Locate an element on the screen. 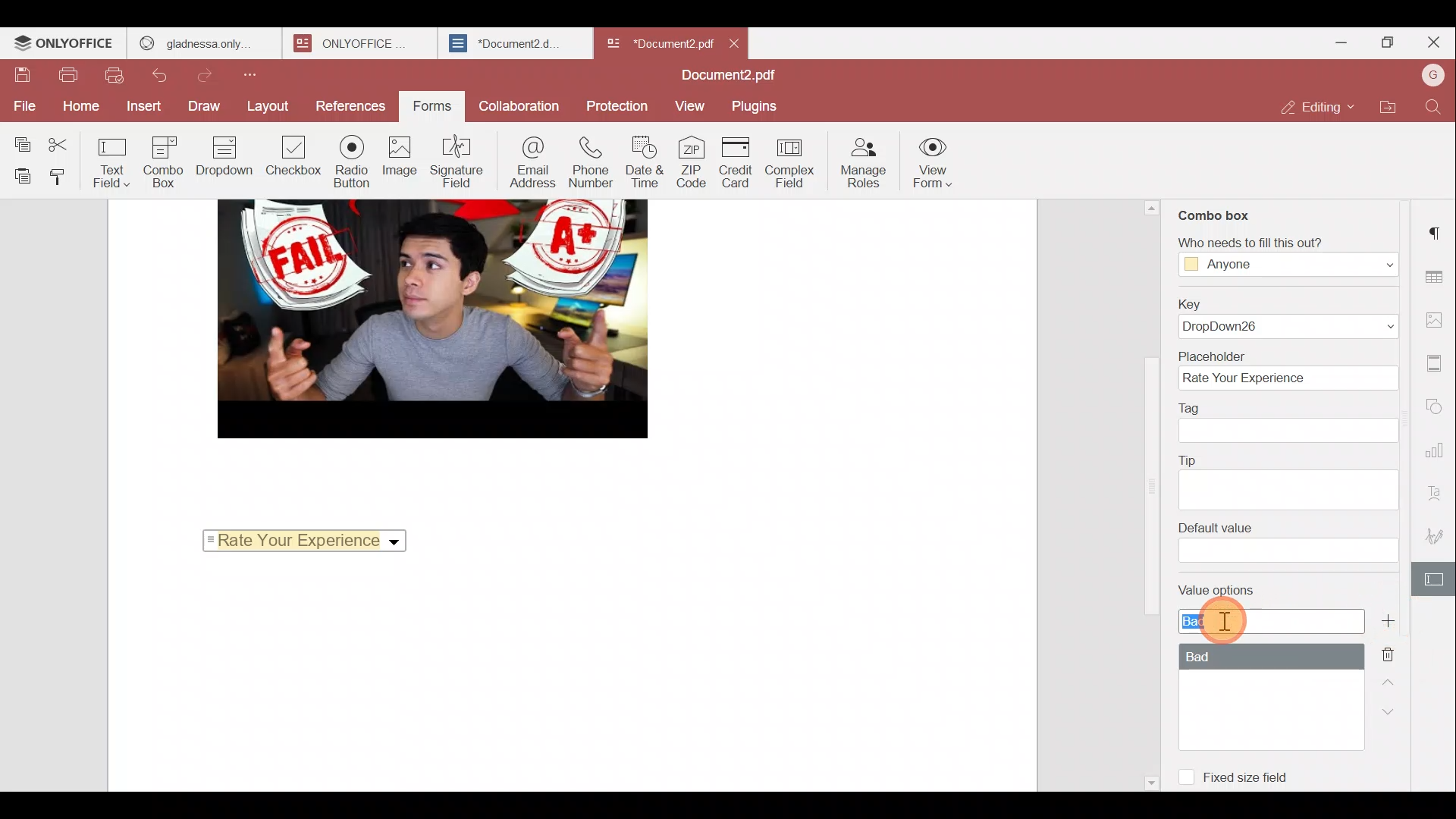  Collaboration is located at coordinates (518, 105).